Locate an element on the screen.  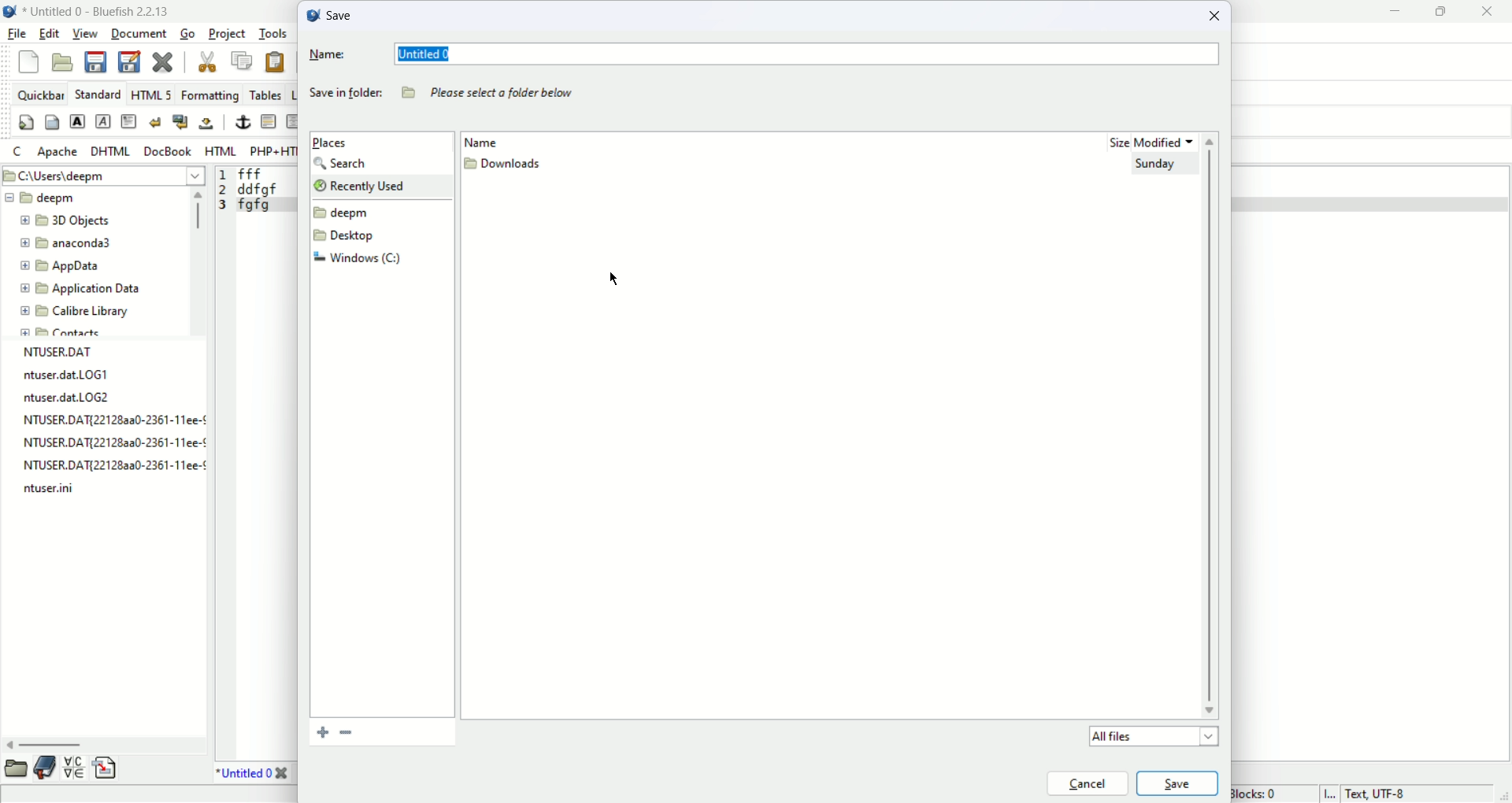
day is located at coordinates (1158, 168).